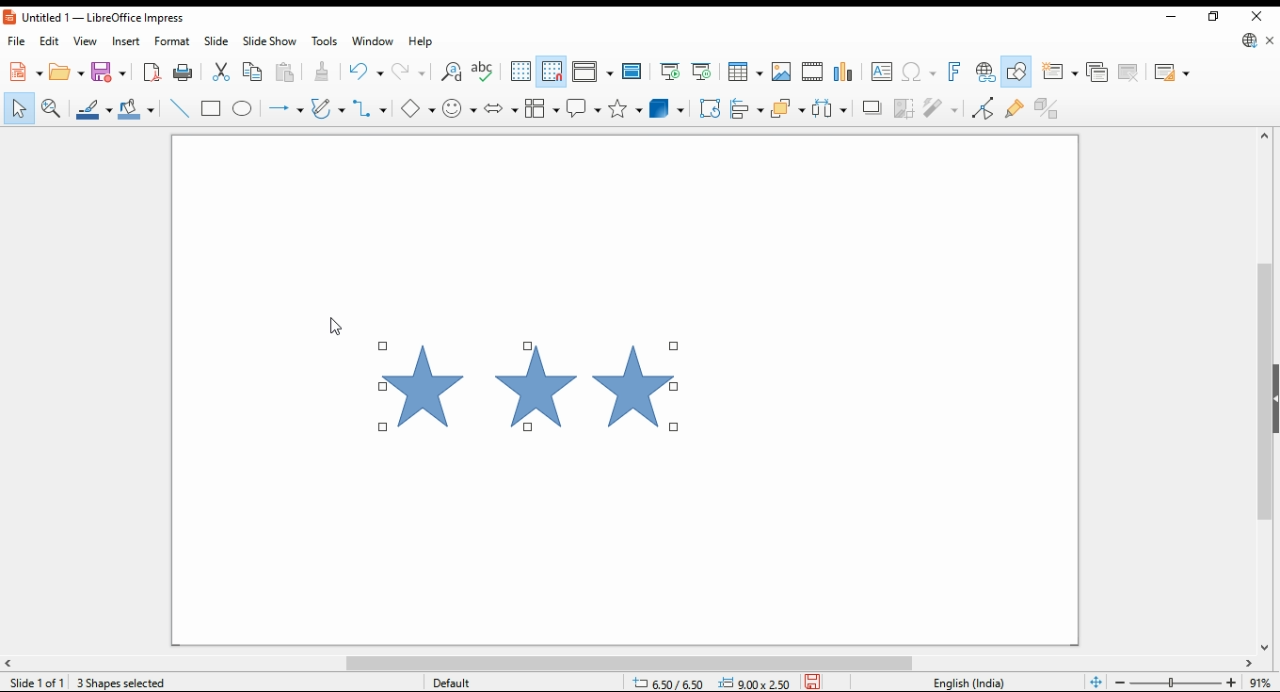 Image resolution: width=1280 pixels, height=692 pixels. Describe the element at coordinates (665, 108) in the screenshot. I see `3D objects` at that location.